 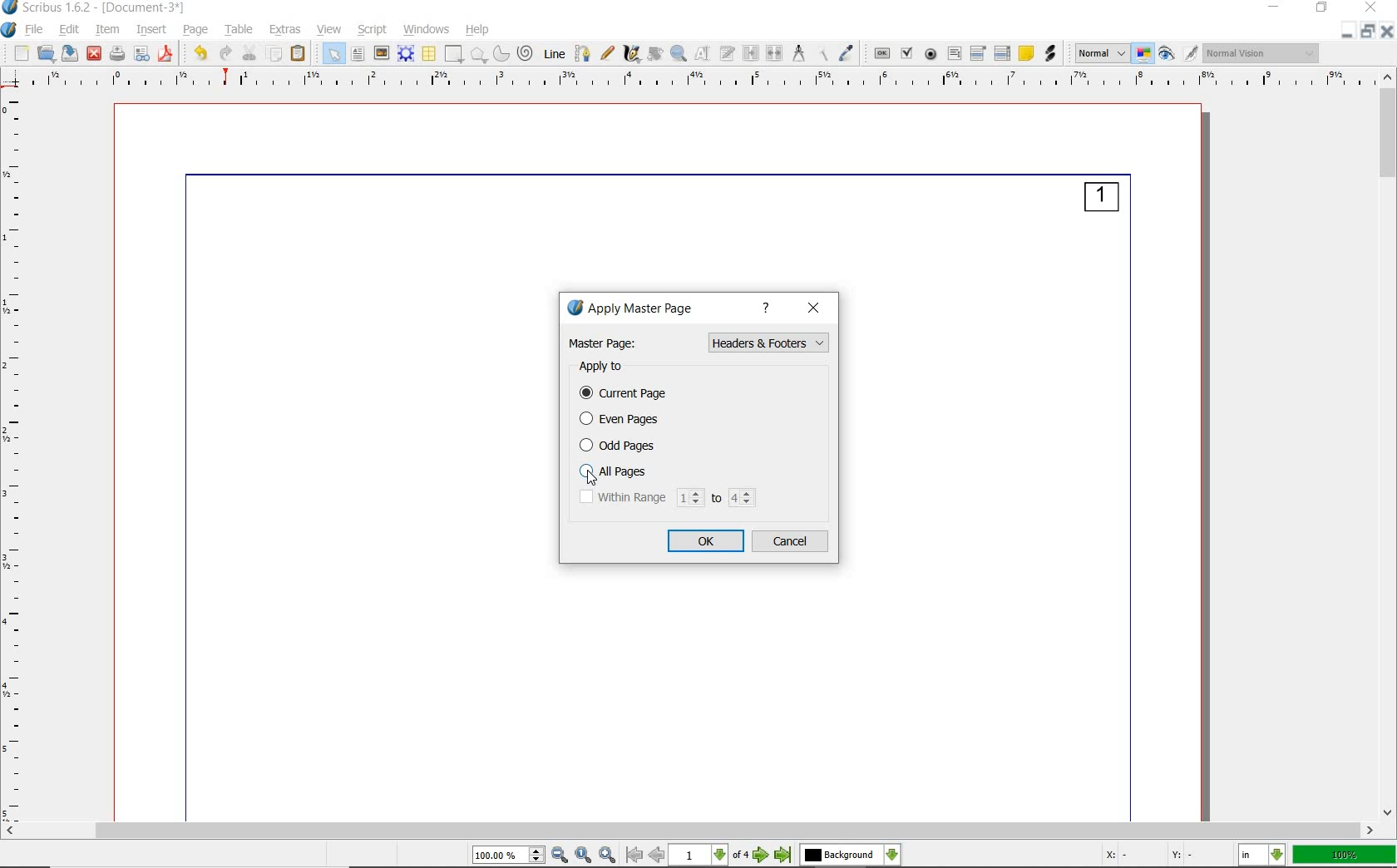 What do you see at coordinates (275, 54) in the screenshot?
I see `copy` at bounding box center [275, 54].